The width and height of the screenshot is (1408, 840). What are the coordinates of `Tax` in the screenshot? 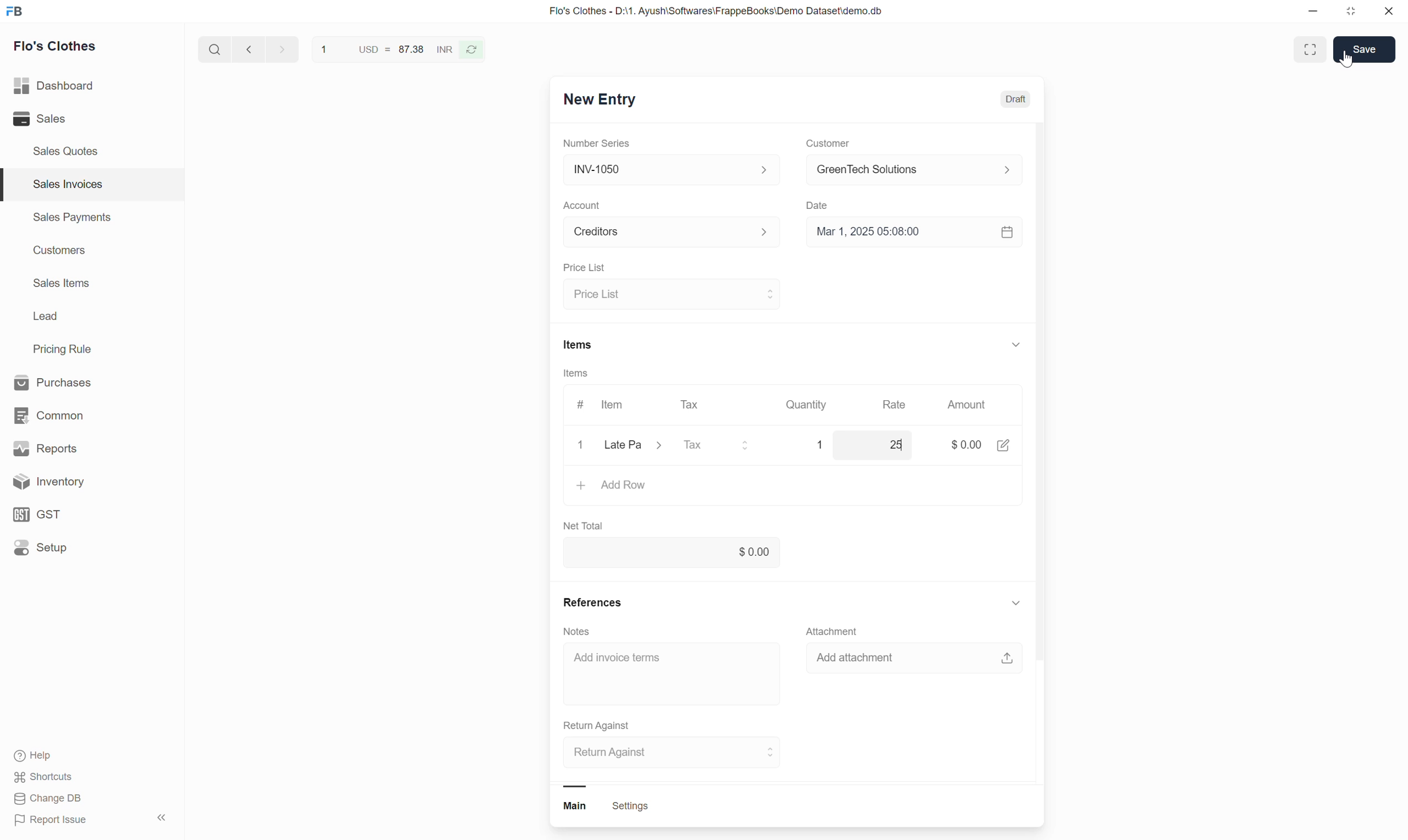 It's located at (691, 408).